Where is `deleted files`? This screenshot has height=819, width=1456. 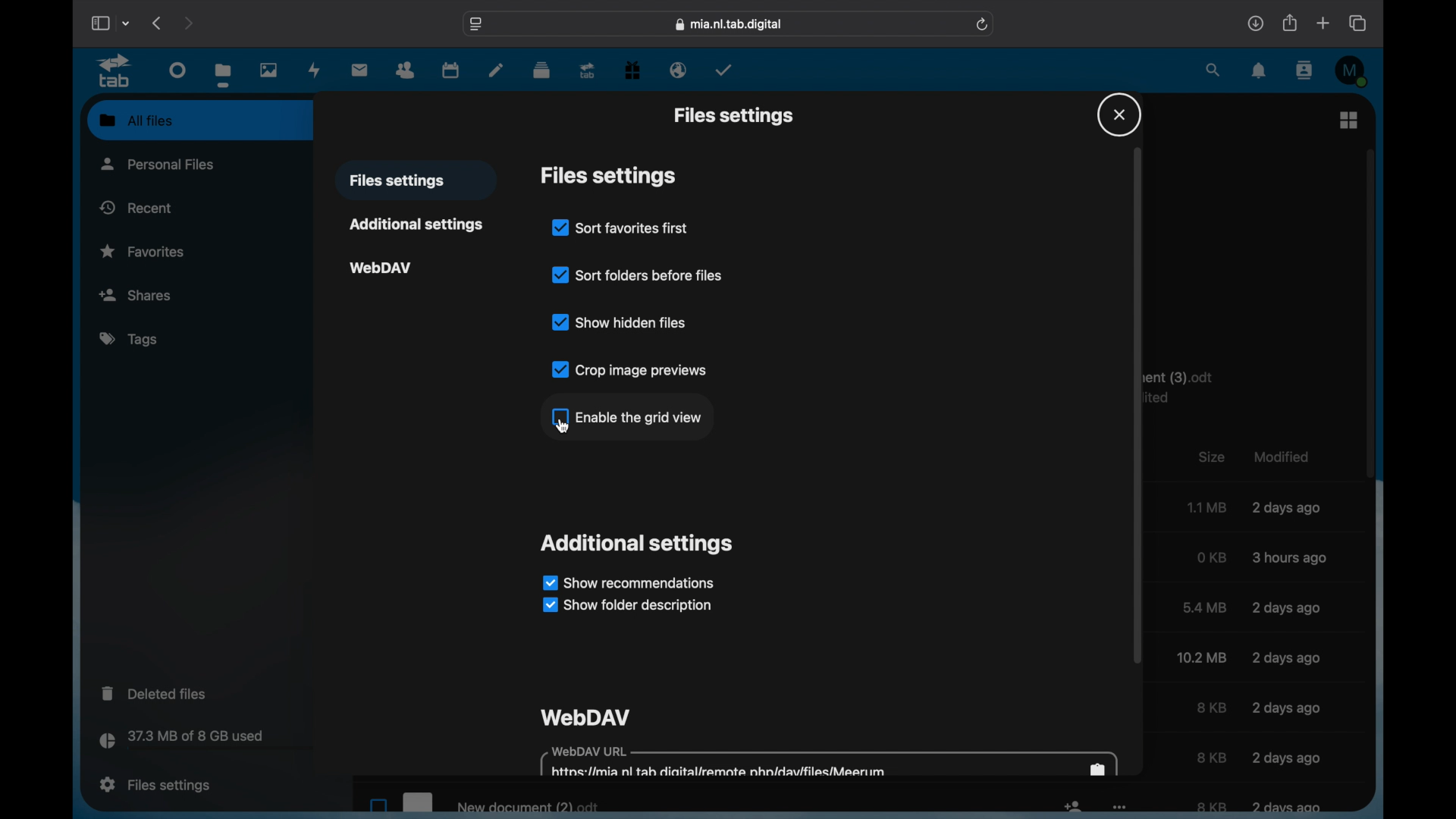
deleted files is located at coordinates (155, 692).